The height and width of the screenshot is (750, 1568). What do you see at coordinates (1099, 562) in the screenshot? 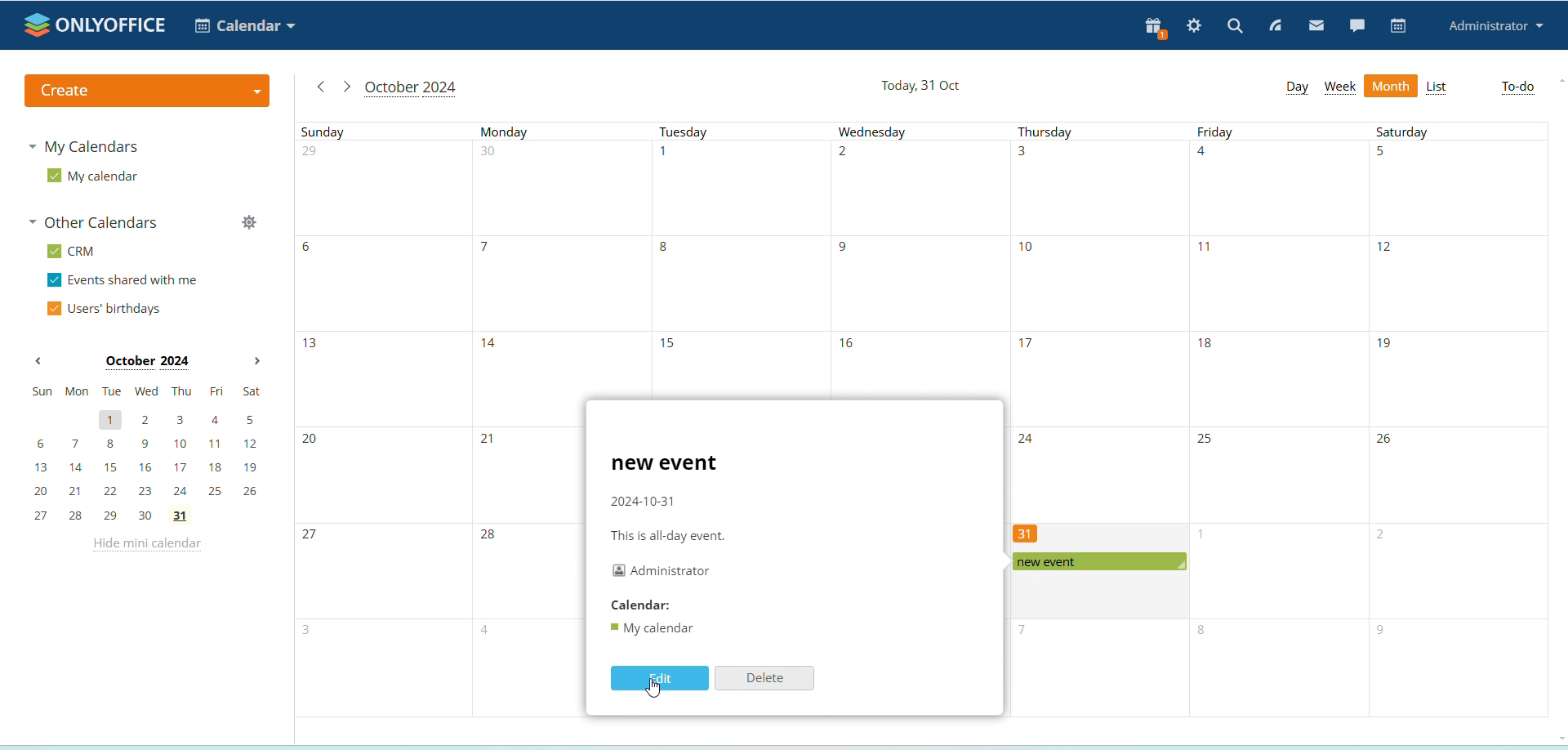
I see `existing event on Thursday 31st` at bounding box center [1099, 562].